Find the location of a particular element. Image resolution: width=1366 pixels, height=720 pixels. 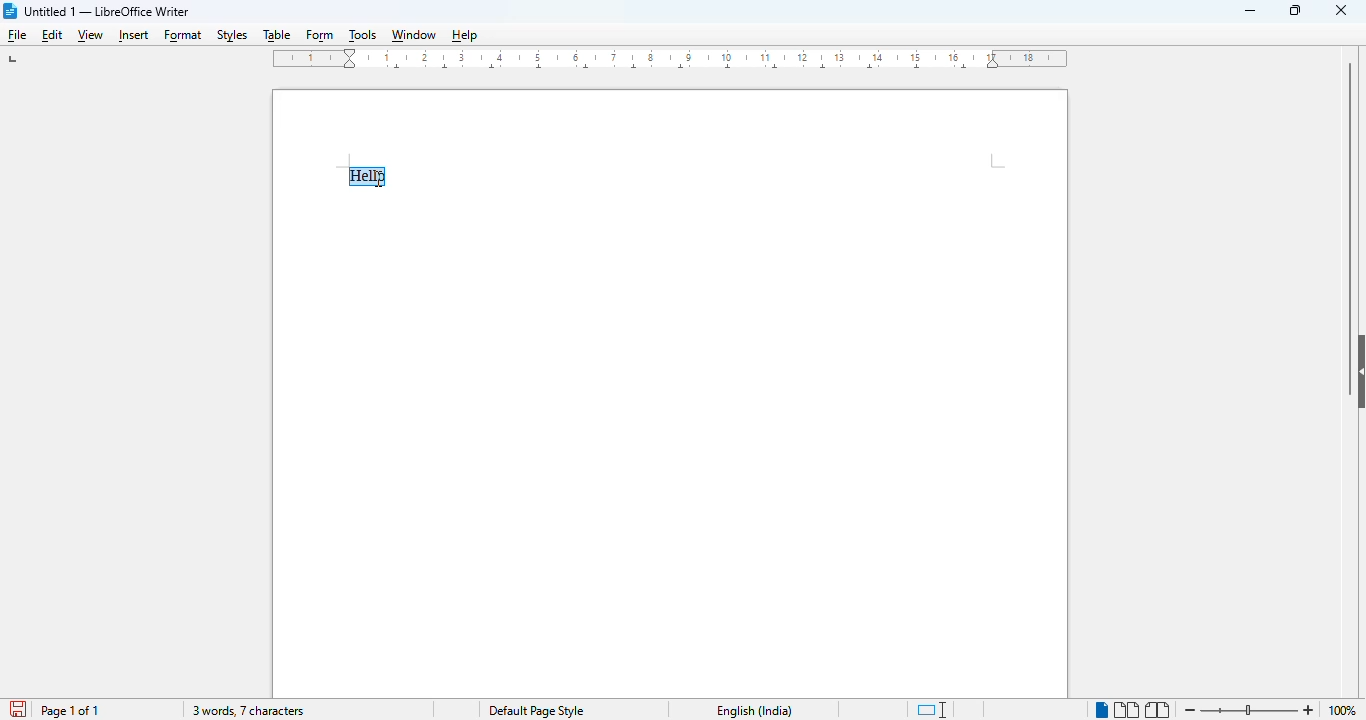

ruler is located at coordinates (671, 59).